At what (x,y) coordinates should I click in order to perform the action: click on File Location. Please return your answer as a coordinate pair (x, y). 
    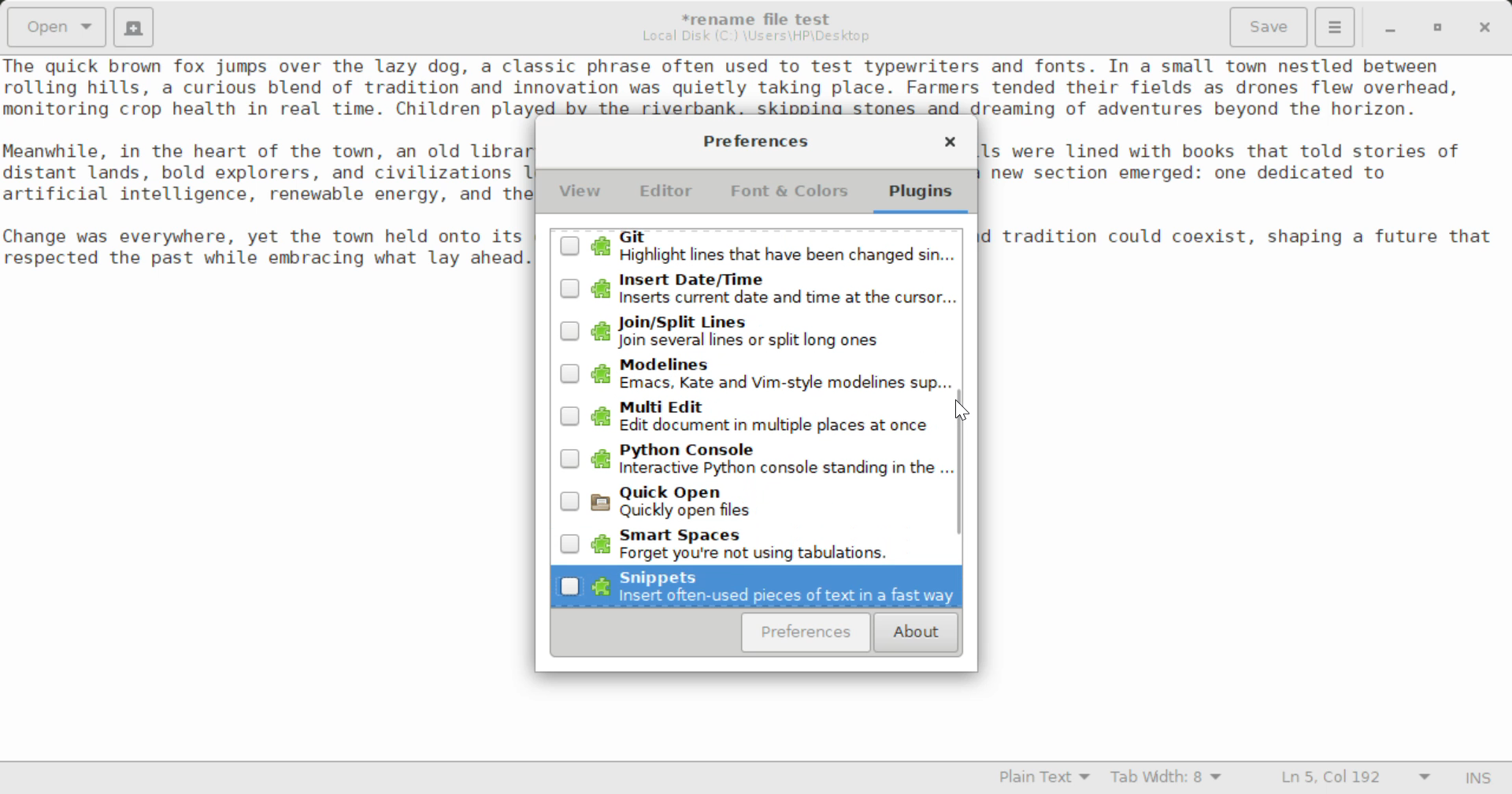
    Looking at the image, I should click on (756, 36).